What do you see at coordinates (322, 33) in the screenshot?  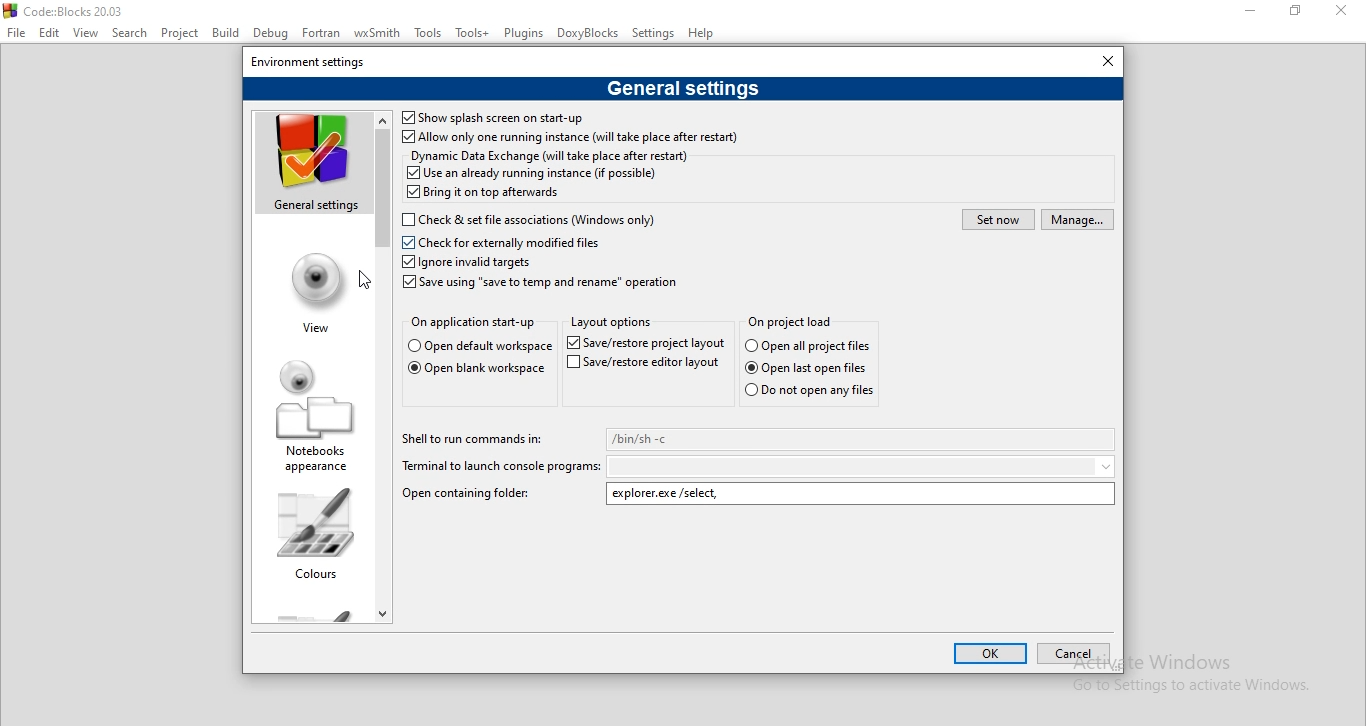 I see `Fortran` at bounding box center [322, 33].